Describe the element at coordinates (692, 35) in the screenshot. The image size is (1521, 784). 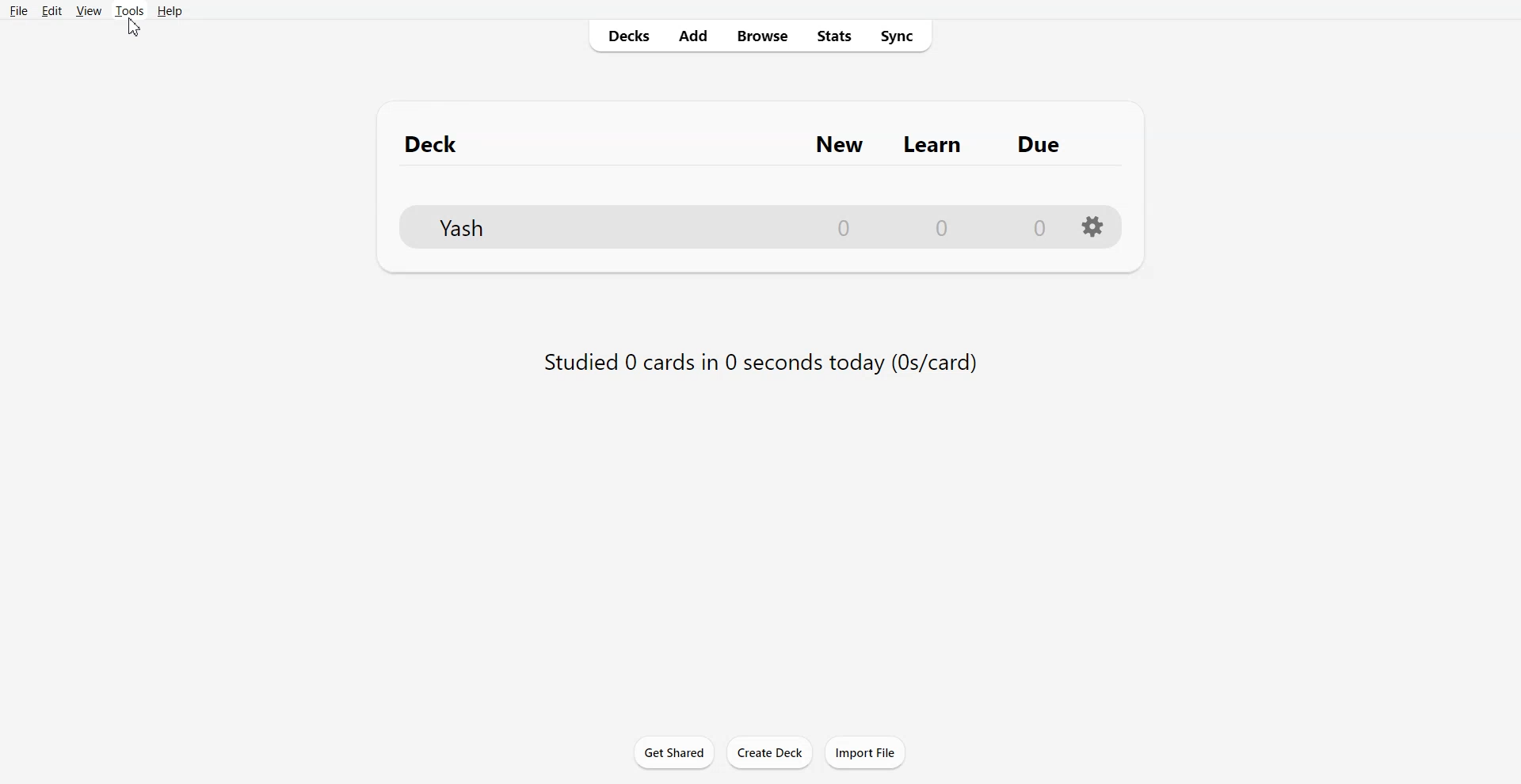
I see `Add` at that location.